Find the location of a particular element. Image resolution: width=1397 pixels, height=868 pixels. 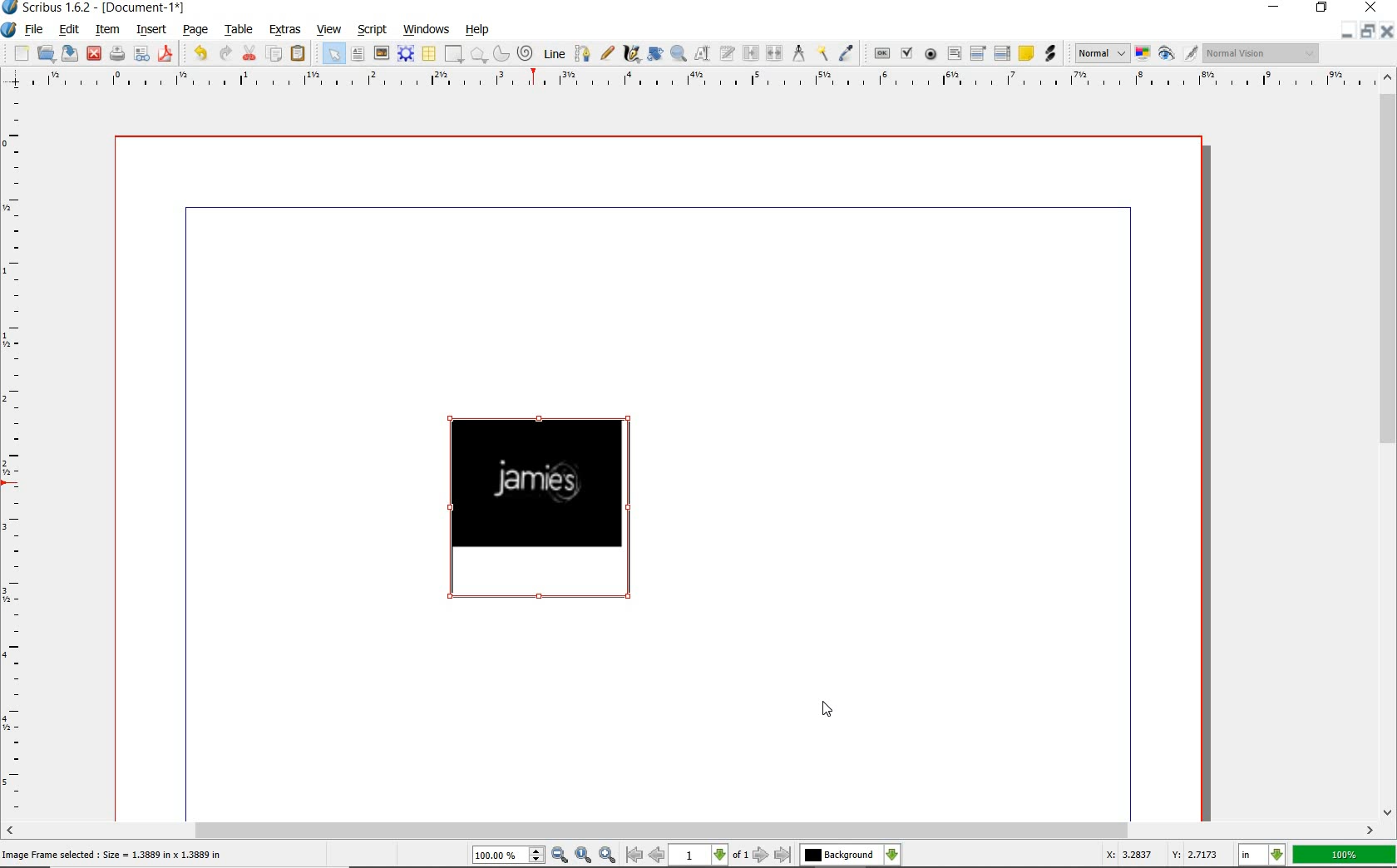

edit is located at coordinates (68, 31).